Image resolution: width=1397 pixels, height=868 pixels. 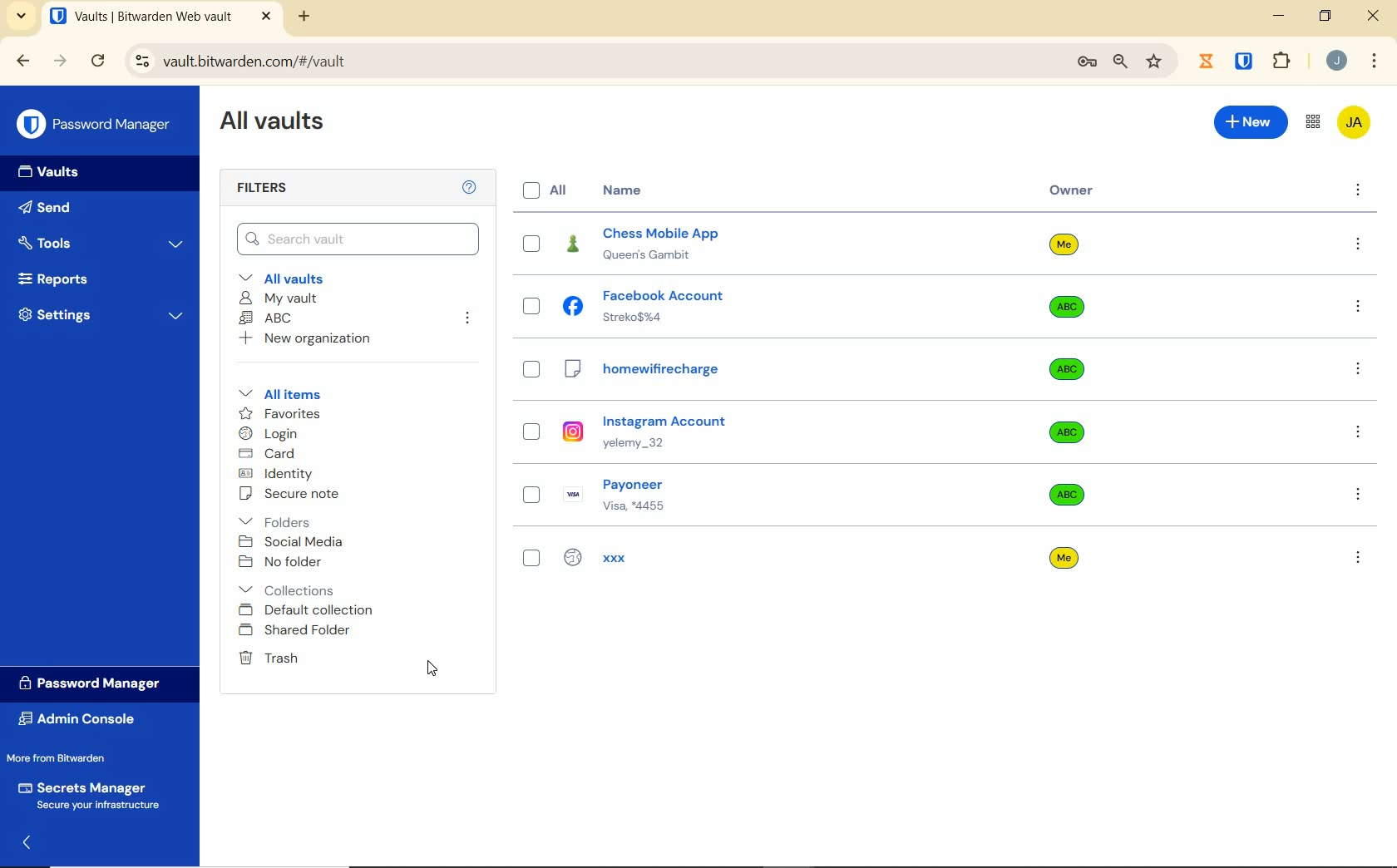 I want to click on bookmark, so click(x=1154, y=62).